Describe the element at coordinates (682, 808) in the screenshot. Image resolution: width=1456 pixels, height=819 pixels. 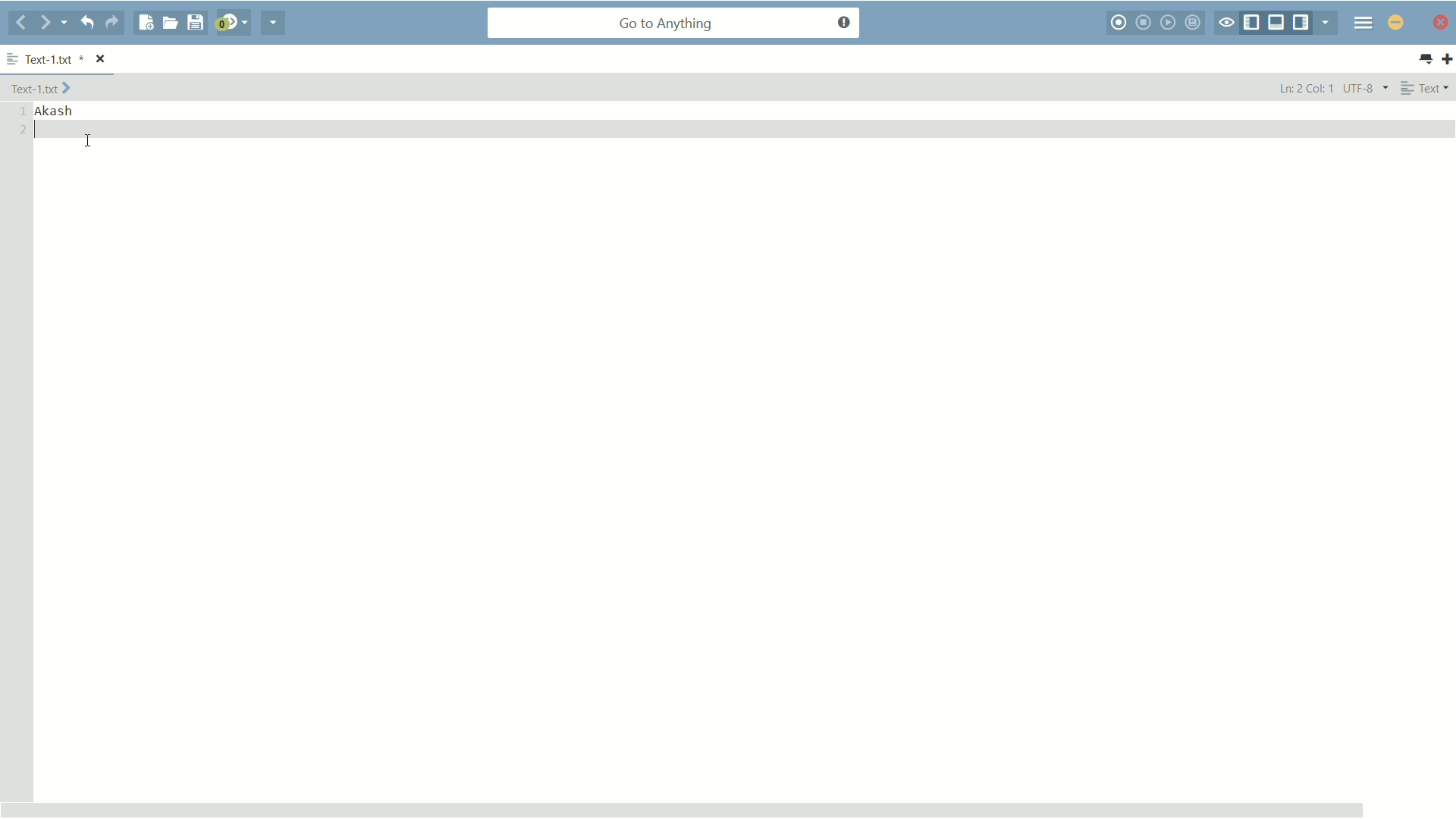
I see `horizontal scroll bar` at that location.